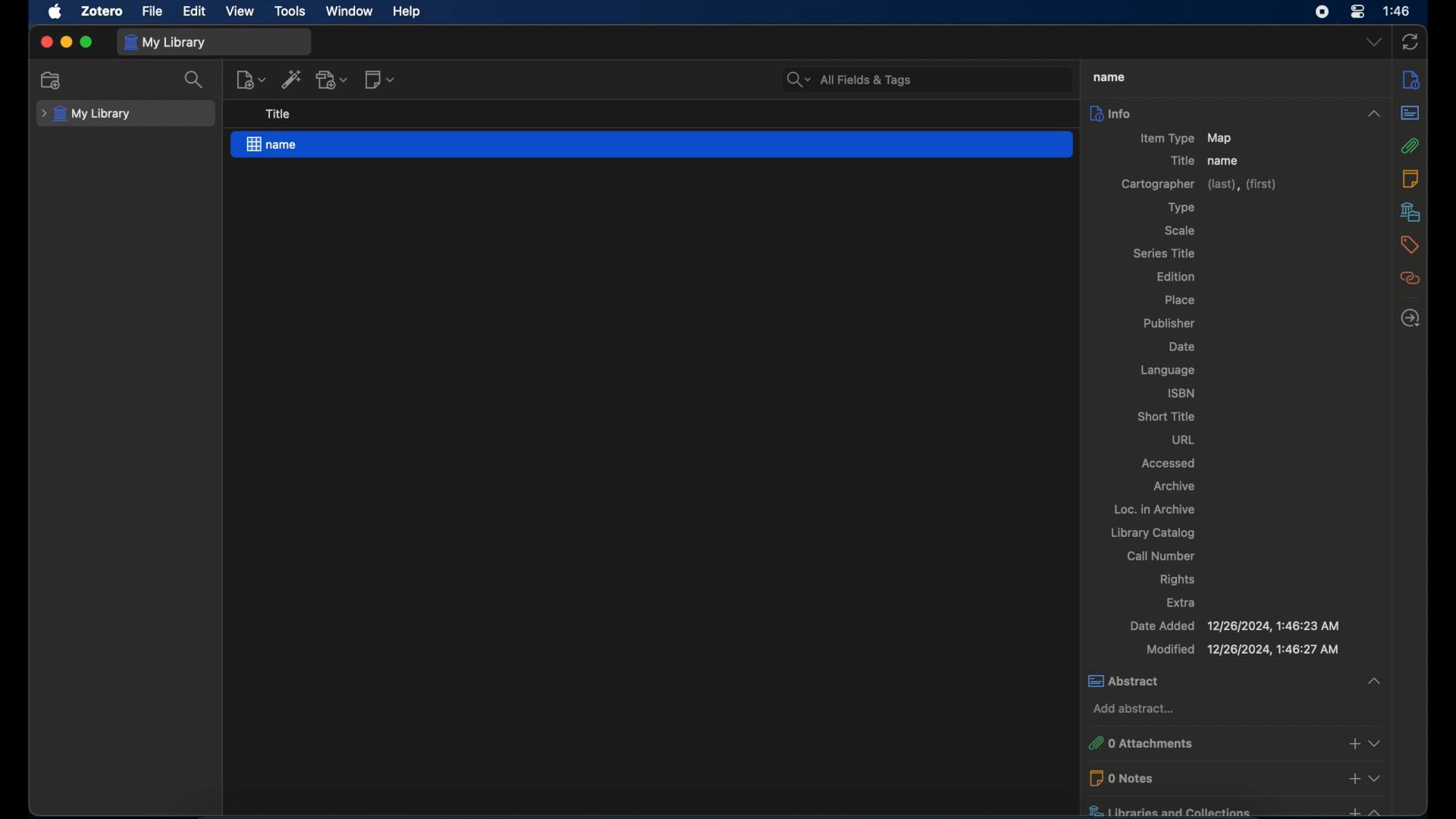 This screenshot has height=819, width=1456. What do you see at coordinates (1411, 81) in the screenshot?
I see `info` at bounding box center [1411, 81].